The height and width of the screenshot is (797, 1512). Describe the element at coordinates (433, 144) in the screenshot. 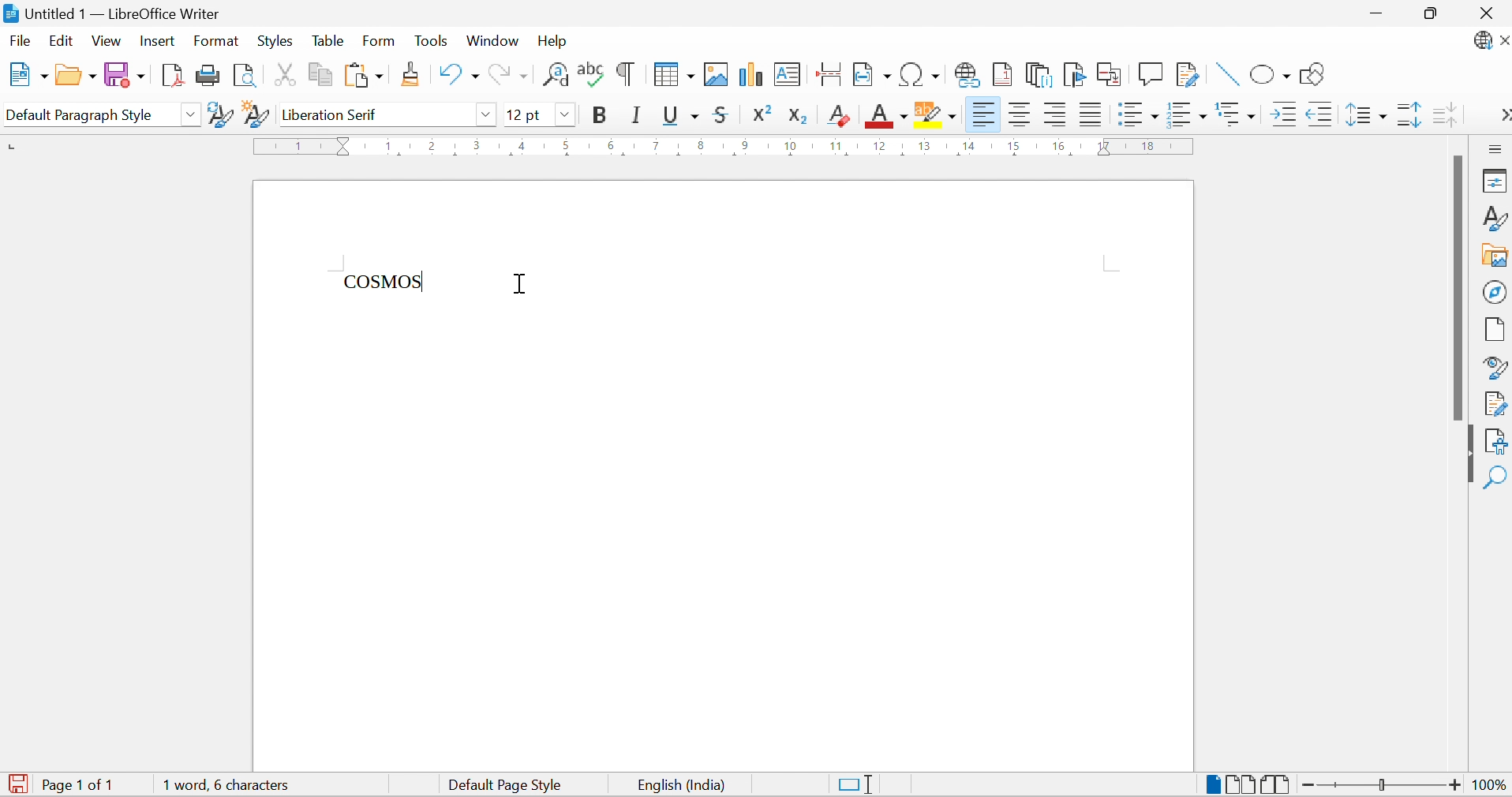

I see `2` at that location.